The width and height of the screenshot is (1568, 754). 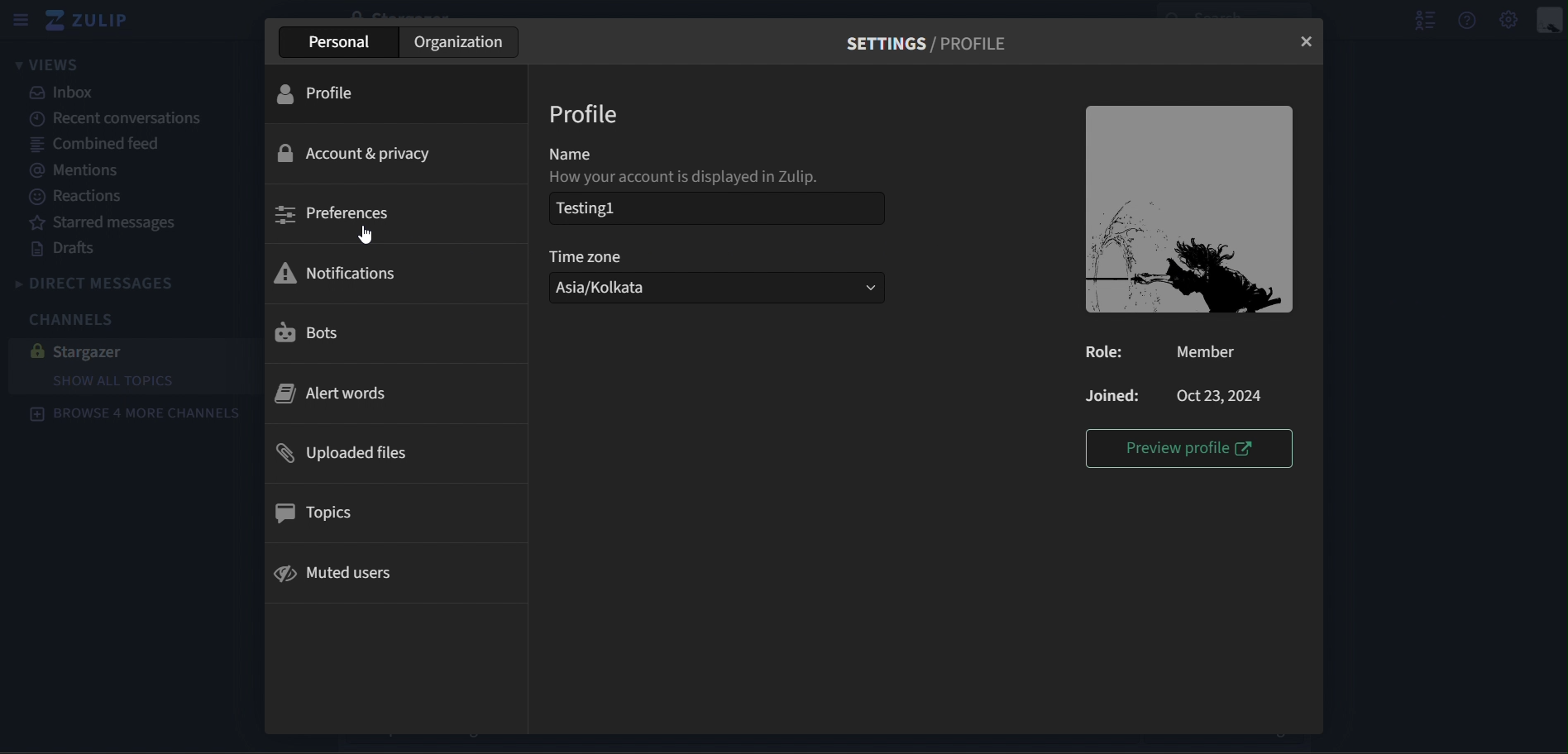 What do you see at coordinates (98, 146) in the screenshot?
I see `combined feed` at bounding box center [98, 146].